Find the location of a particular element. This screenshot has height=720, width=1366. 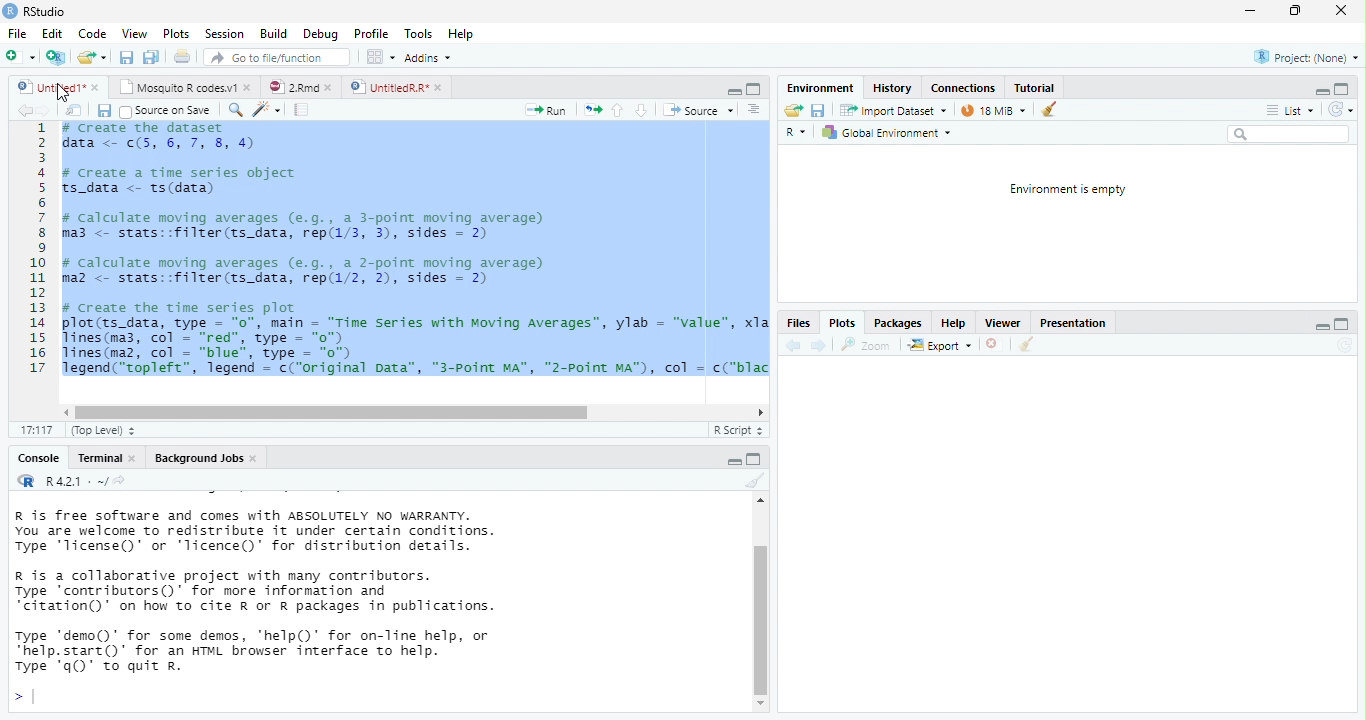

compile report is located at coordinates (303, 109).